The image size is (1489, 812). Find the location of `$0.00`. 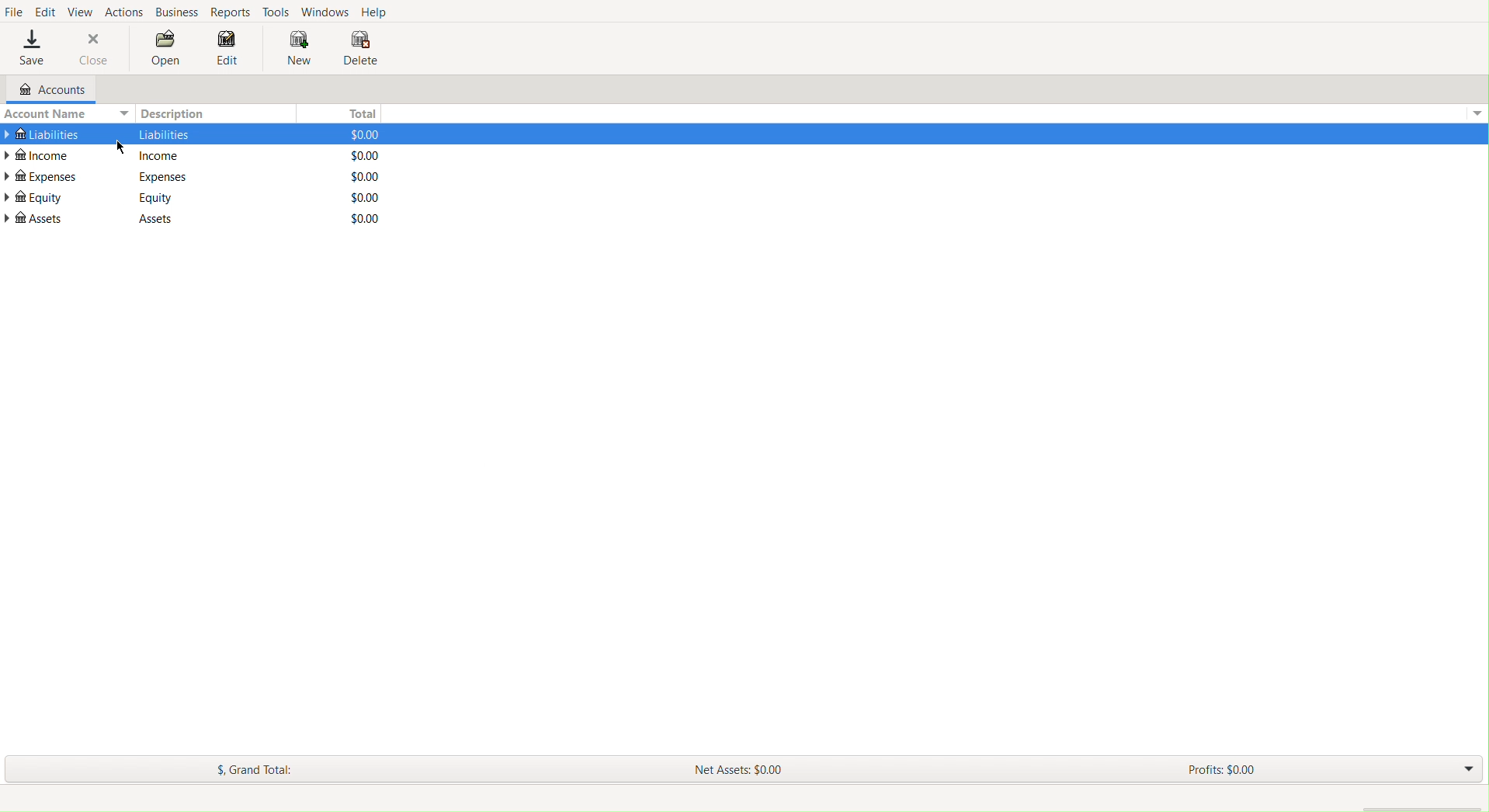

$0.00 is located at coordinates (359, 155).